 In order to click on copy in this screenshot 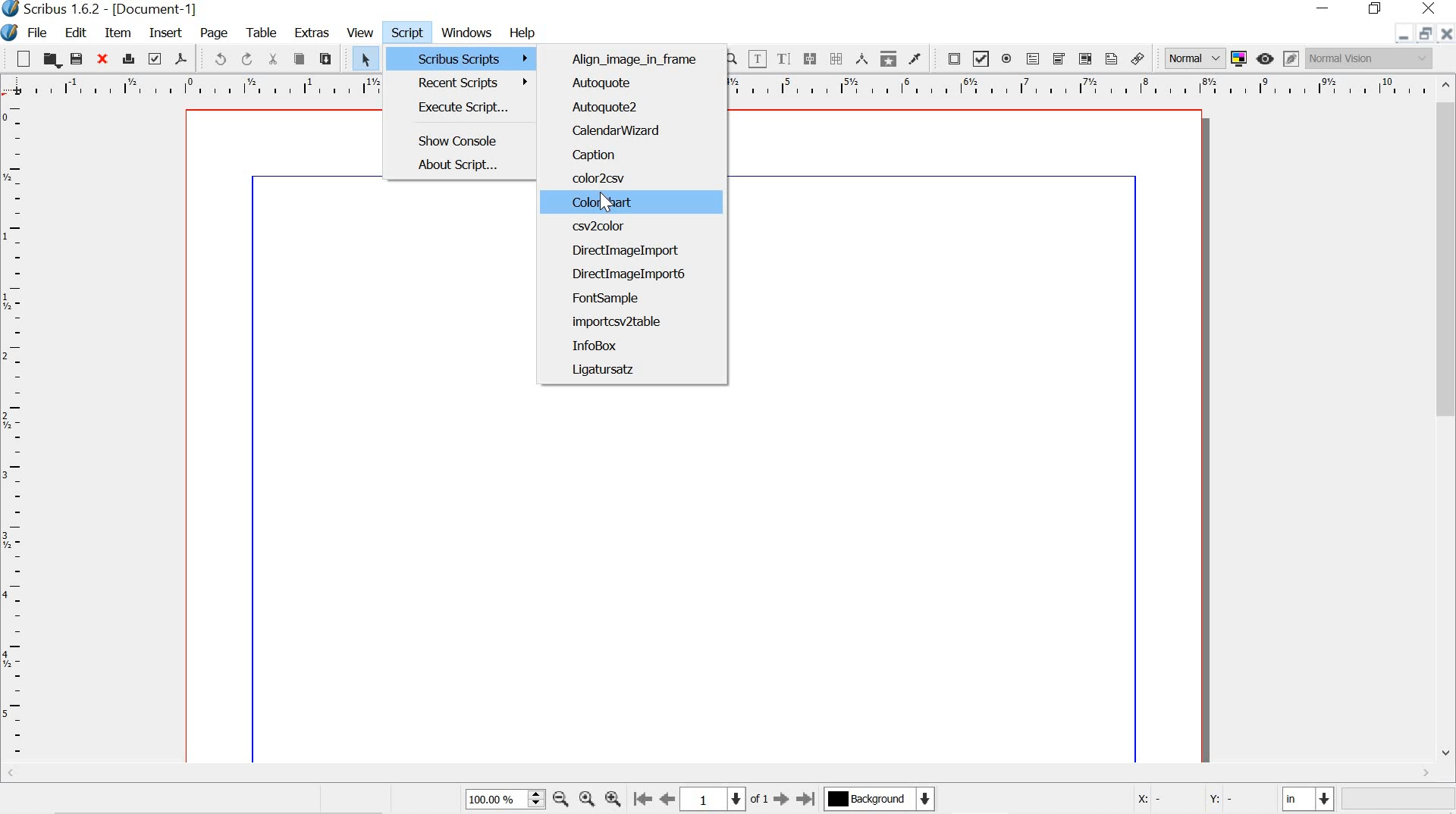, I will do `click(299, 59)`.